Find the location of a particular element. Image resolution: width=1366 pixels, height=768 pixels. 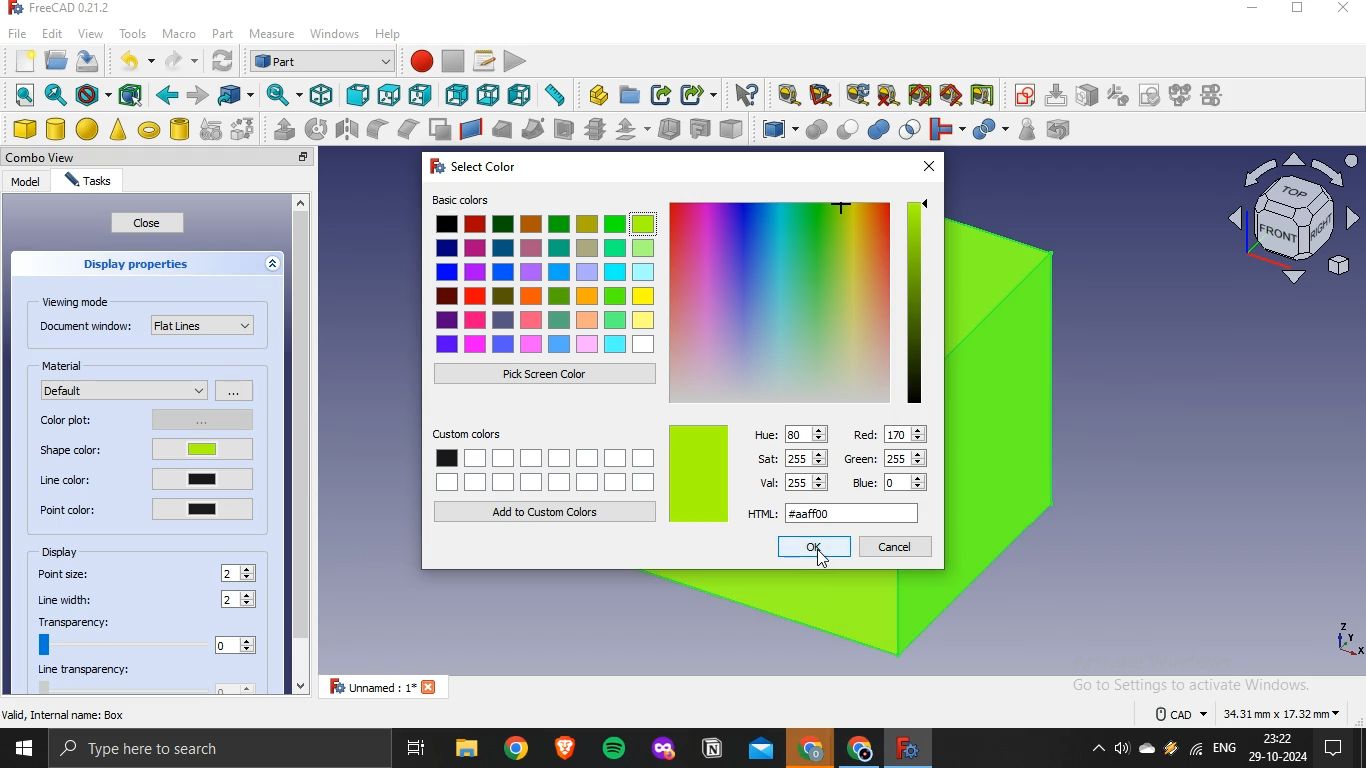

create folder is located at coordinates (631, 94).